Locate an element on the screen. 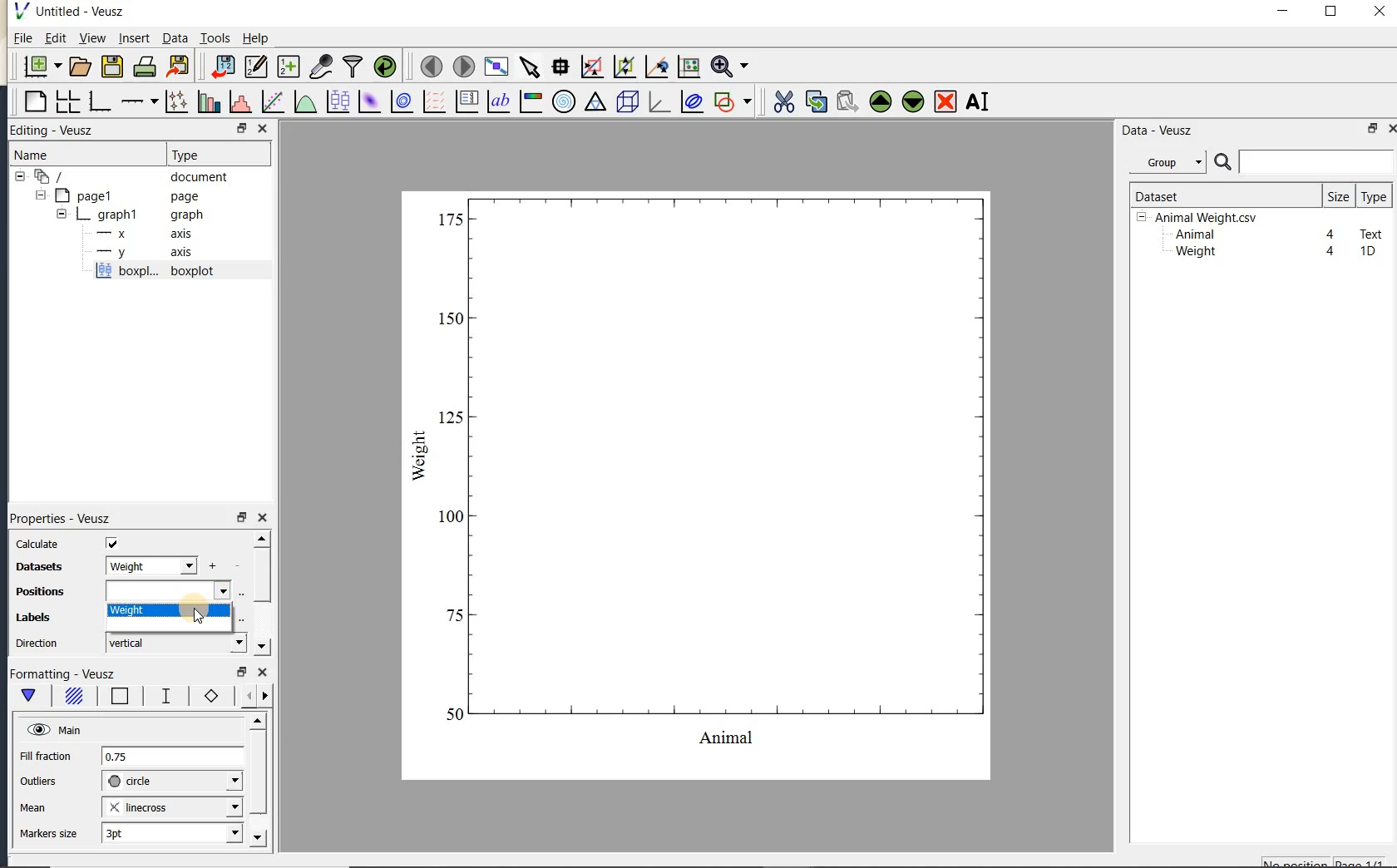 Image resolution: width=1397 pixels, height=868 pixels. paste widget from the clipboard is located at coordinates (847, 103).